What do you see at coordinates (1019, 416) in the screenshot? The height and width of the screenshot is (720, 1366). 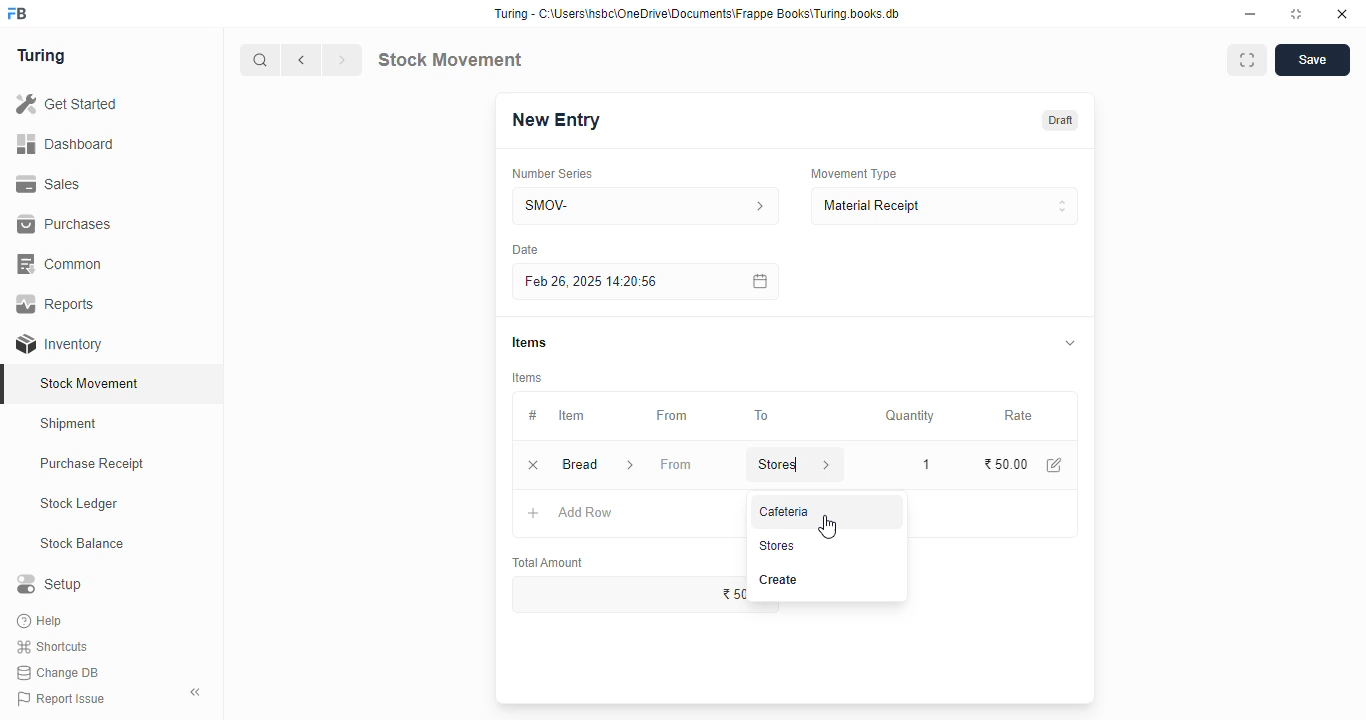 I see `rate` at bounding box center [1019, 416].